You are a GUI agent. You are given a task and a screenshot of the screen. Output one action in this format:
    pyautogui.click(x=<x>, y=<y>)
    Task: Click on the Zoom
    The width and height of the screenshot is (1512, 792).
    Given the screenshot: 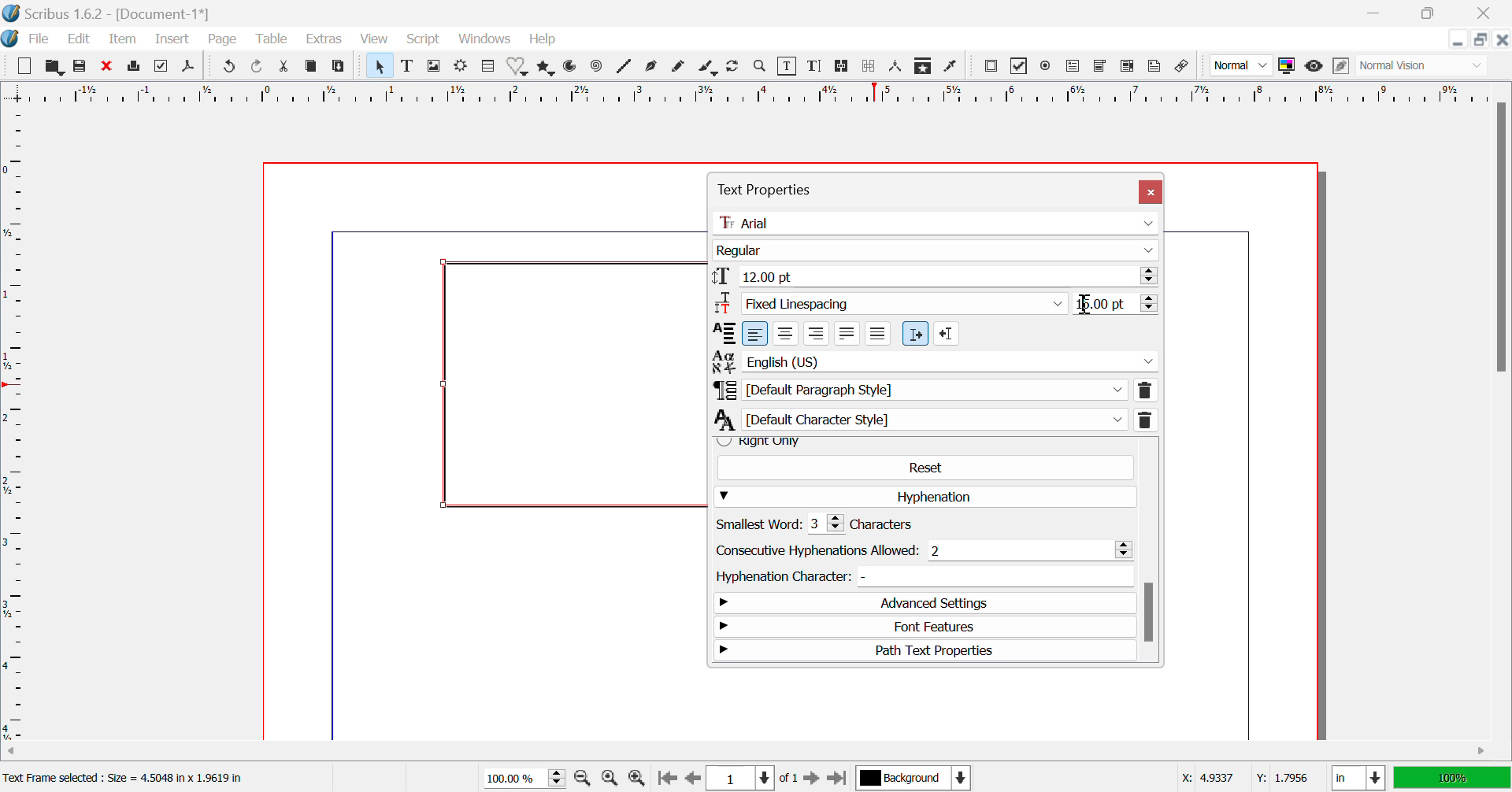 What is the action you would take?
    pyautogui.click(x=762, y=68)
    